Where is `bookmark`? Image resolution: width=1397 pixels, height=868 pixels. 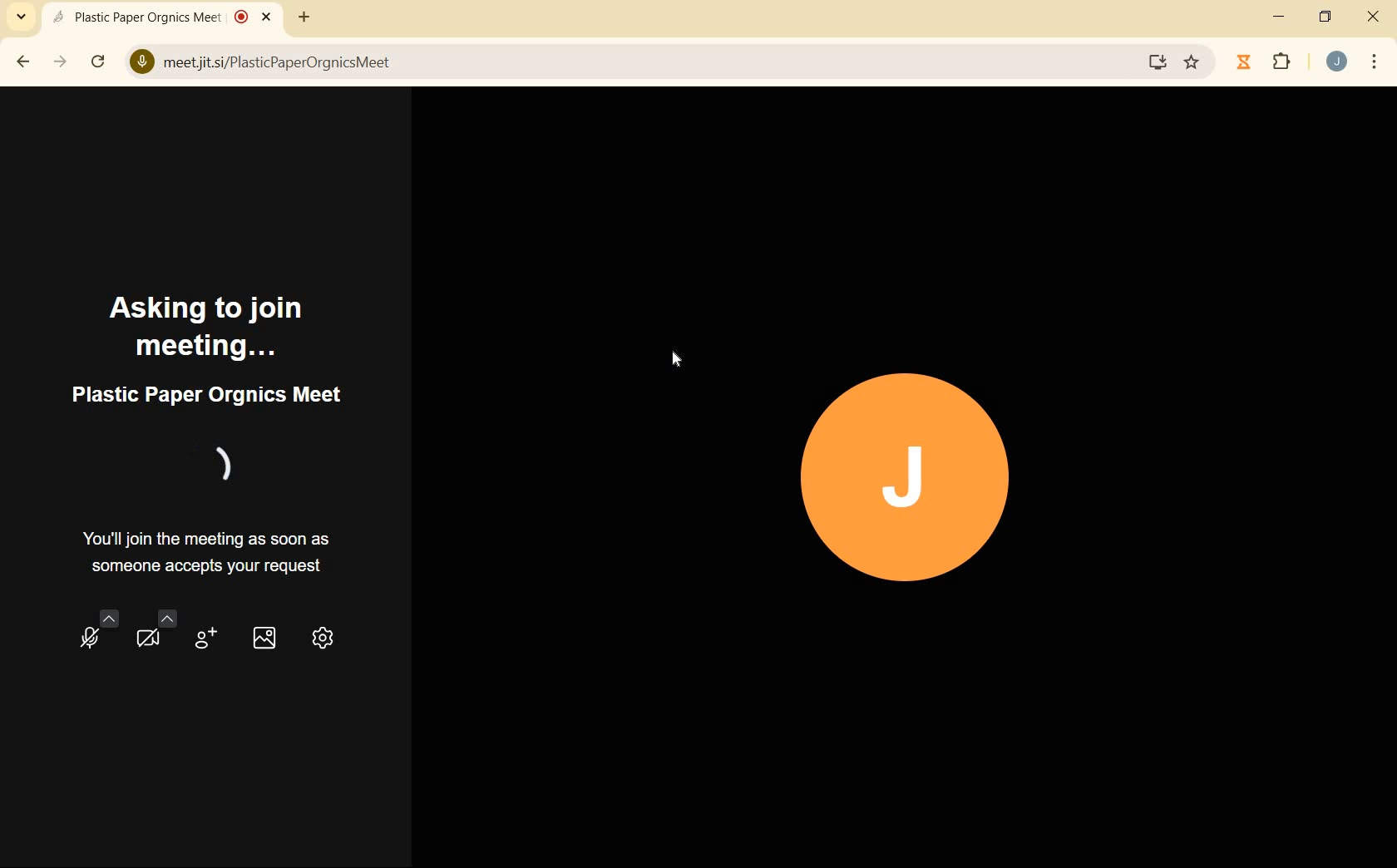 bookmark is located at coordinates (1193, 62).